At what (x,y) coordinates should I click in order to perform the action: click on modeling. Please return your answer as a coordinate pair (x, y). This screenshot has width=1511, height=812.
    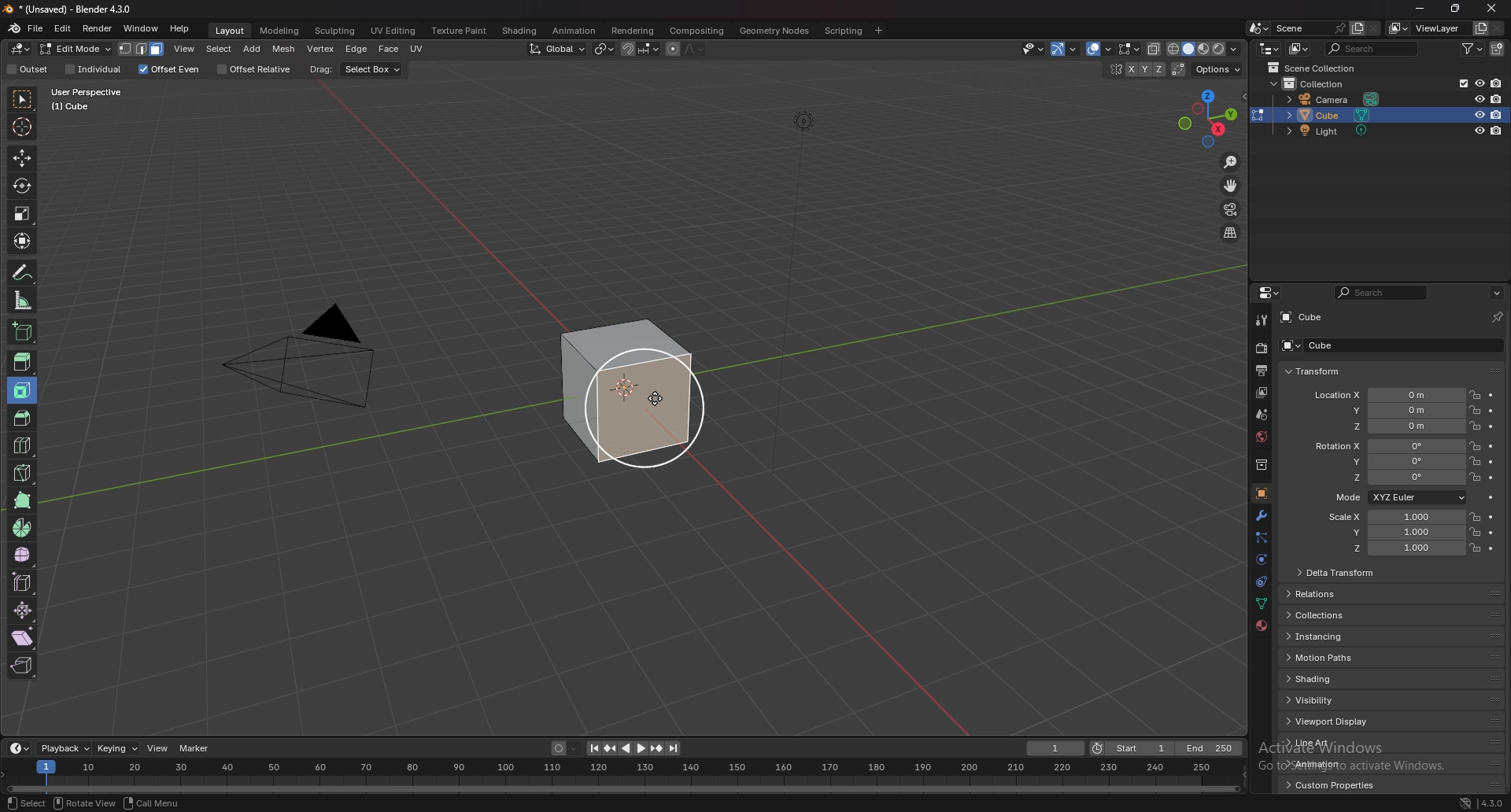
    Looking at the image, I should click on (281, 31).